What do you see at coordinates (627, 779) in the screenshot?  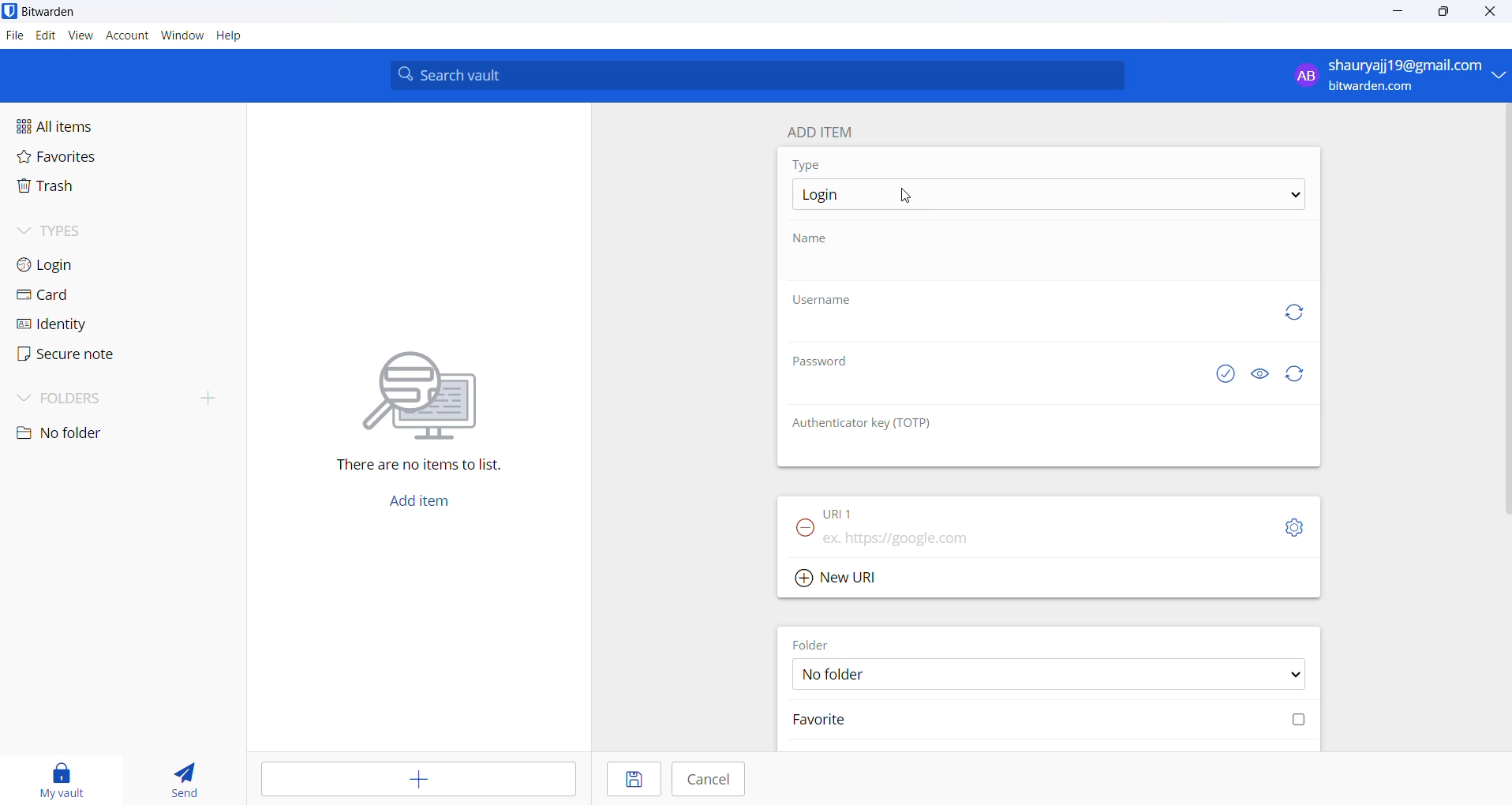 I see `save` at bounding box center [627, 779].